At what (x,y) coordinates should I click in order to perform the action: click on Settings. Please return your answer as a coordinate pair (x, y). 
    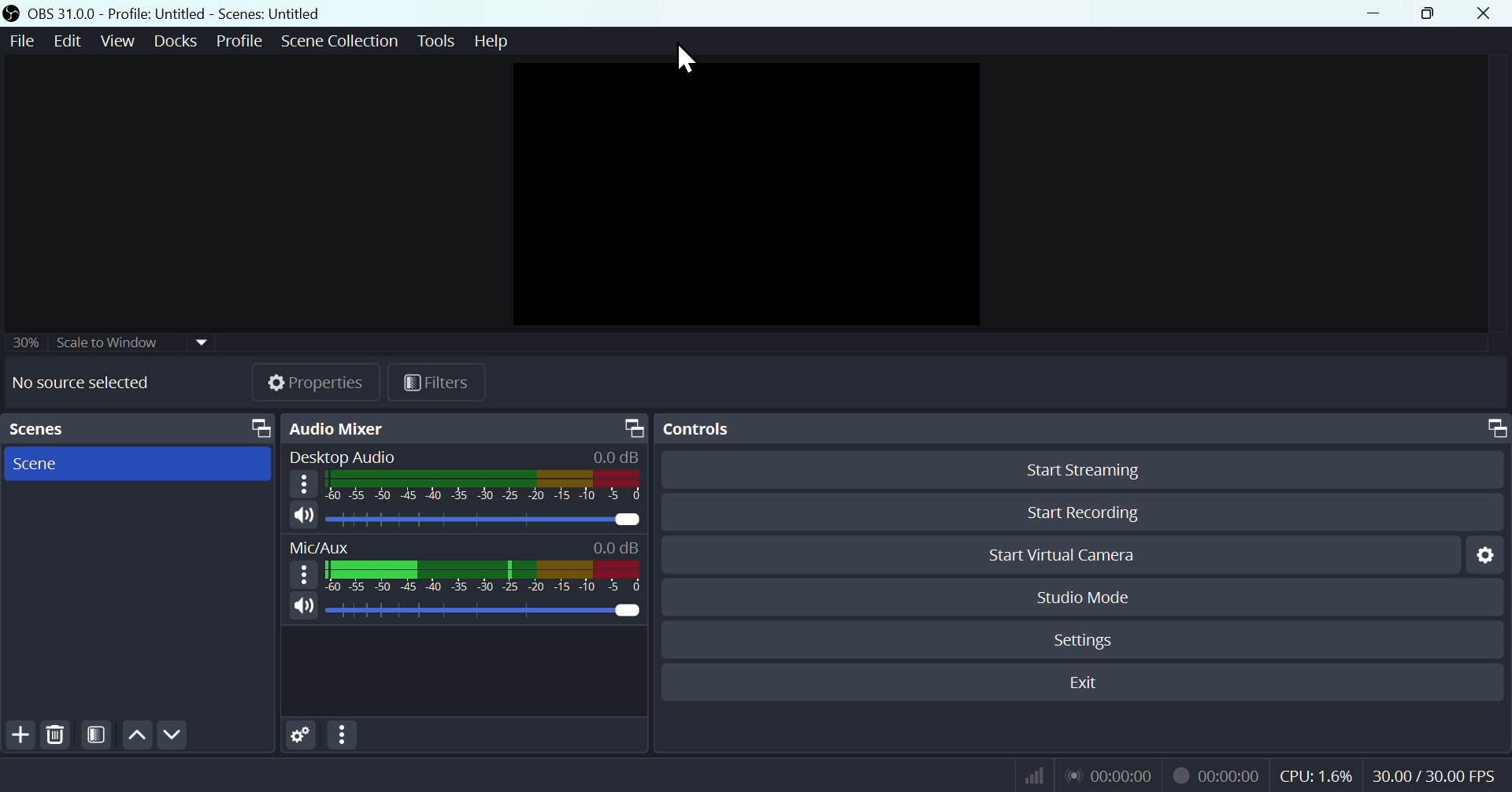
    Looking at the image, I should click on (301, 735).